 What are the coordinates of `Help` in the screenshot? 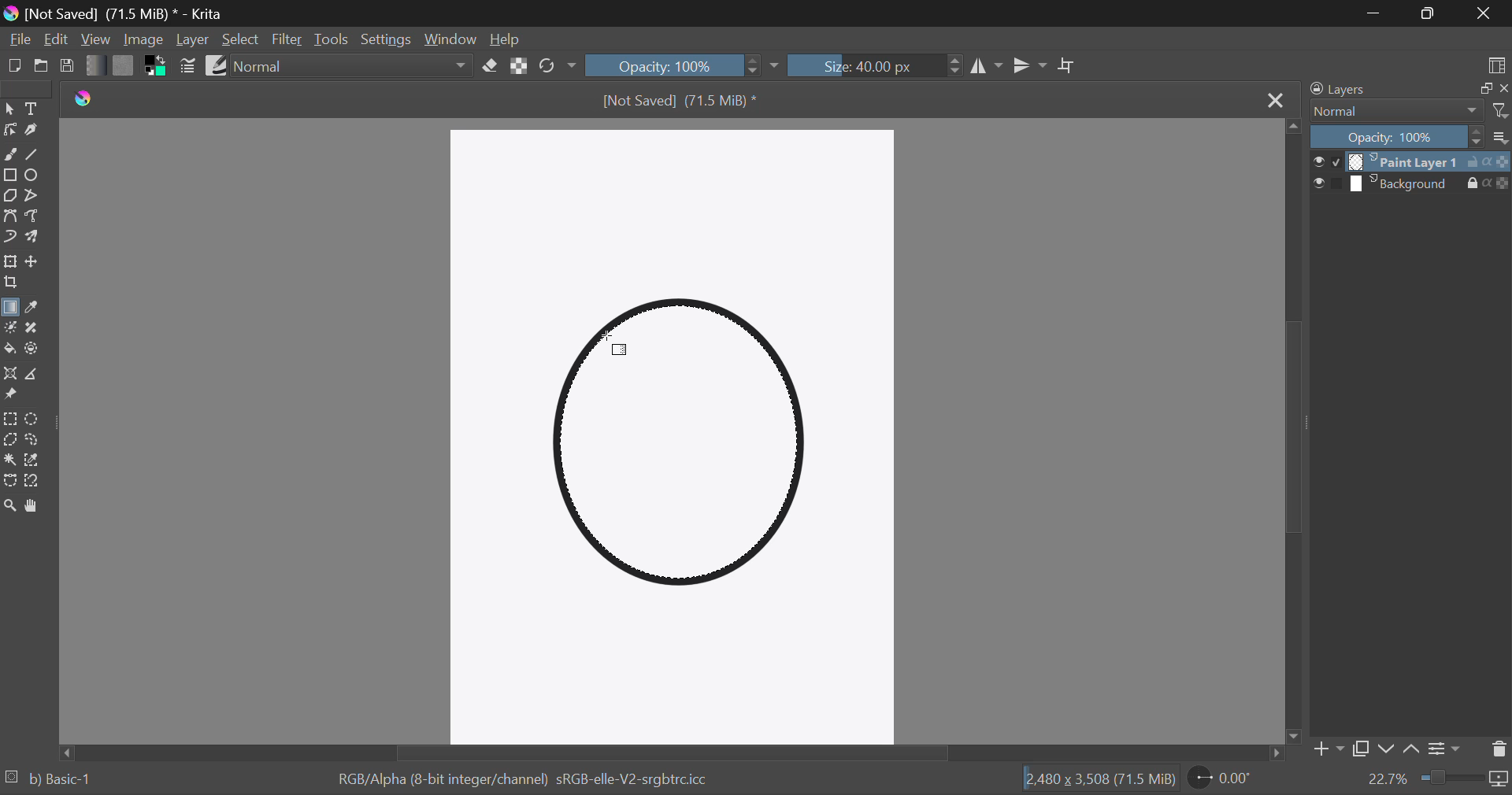 It's located at (509, 39).